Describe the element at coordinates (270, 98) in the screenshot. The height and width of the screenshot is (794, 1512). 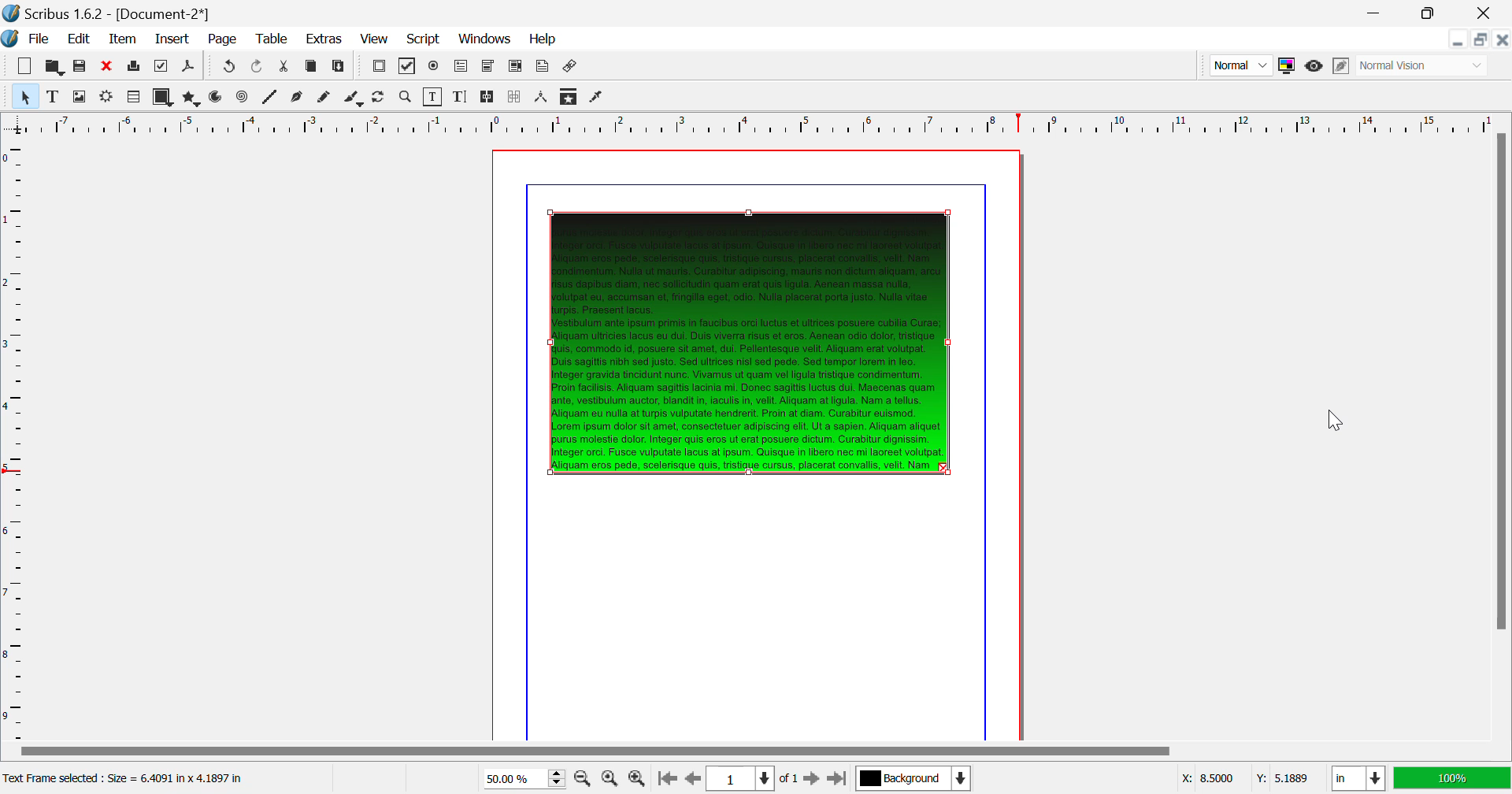
I see `Line` at that location.